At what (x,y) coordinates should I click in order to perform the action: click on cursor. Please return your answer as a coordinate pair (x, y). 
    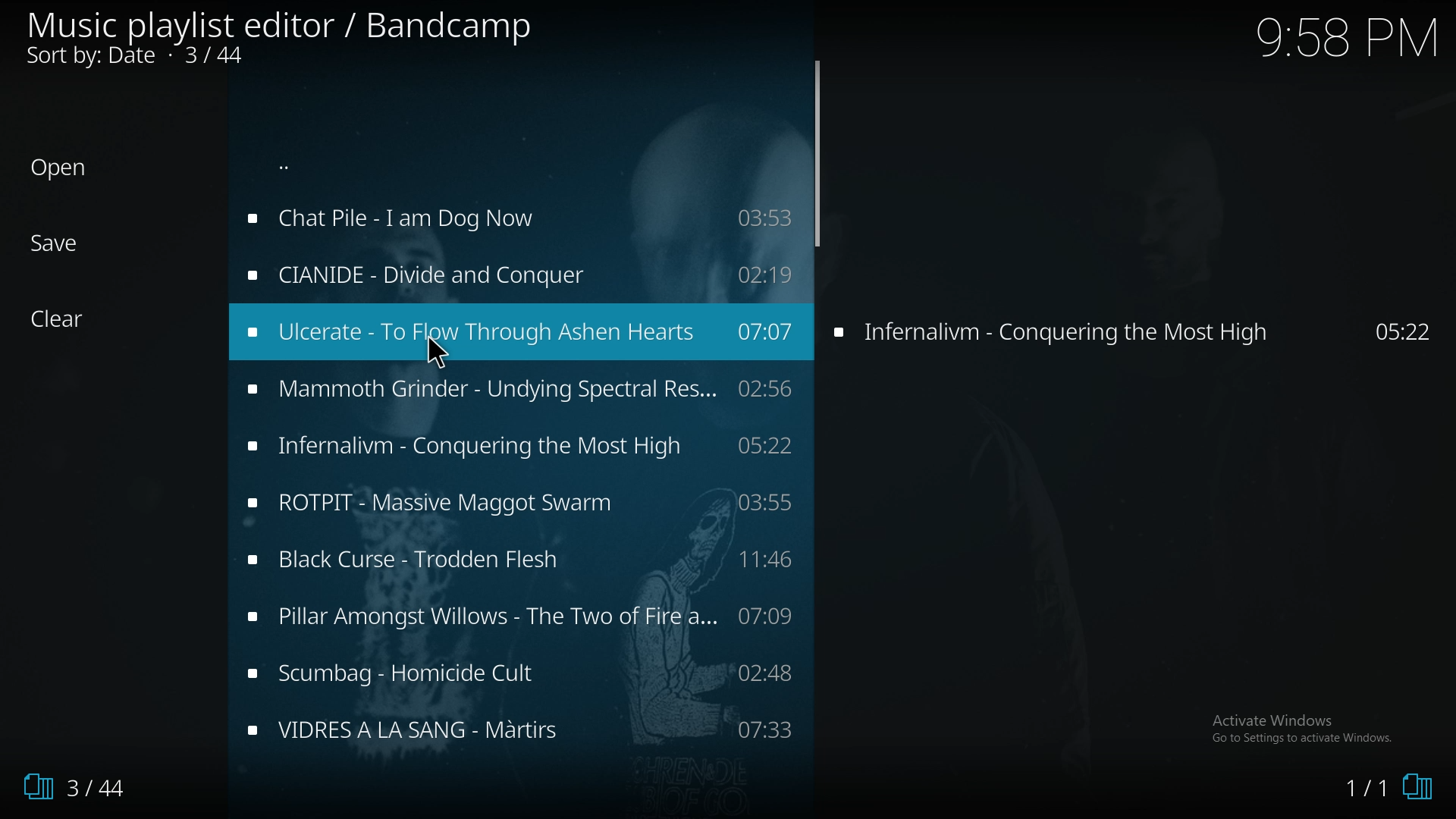
    Looking at the image, I should click on (441, 350).